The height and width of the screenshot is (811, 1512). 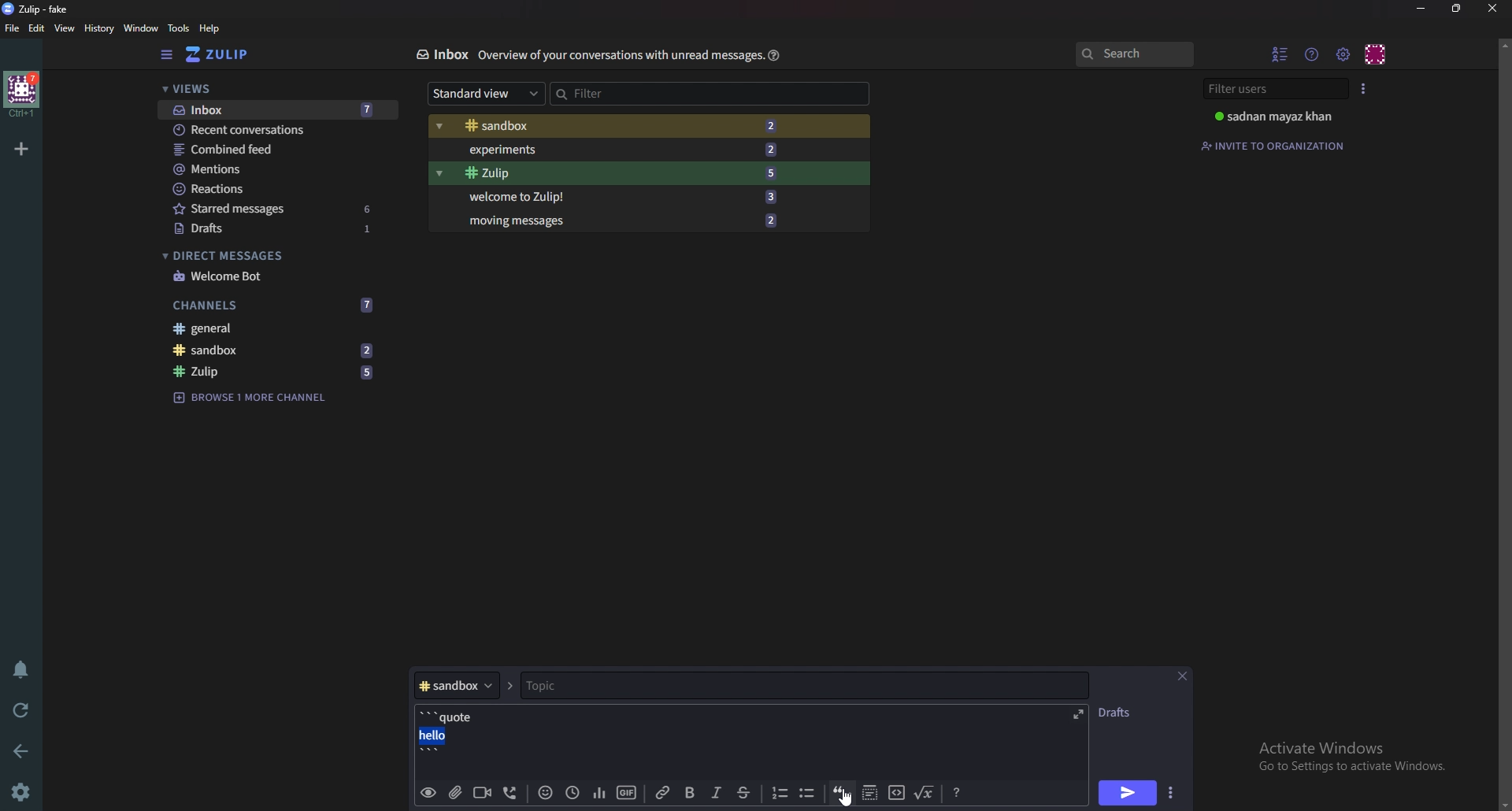 I want to click on Tools, so click(x=180, y=29).